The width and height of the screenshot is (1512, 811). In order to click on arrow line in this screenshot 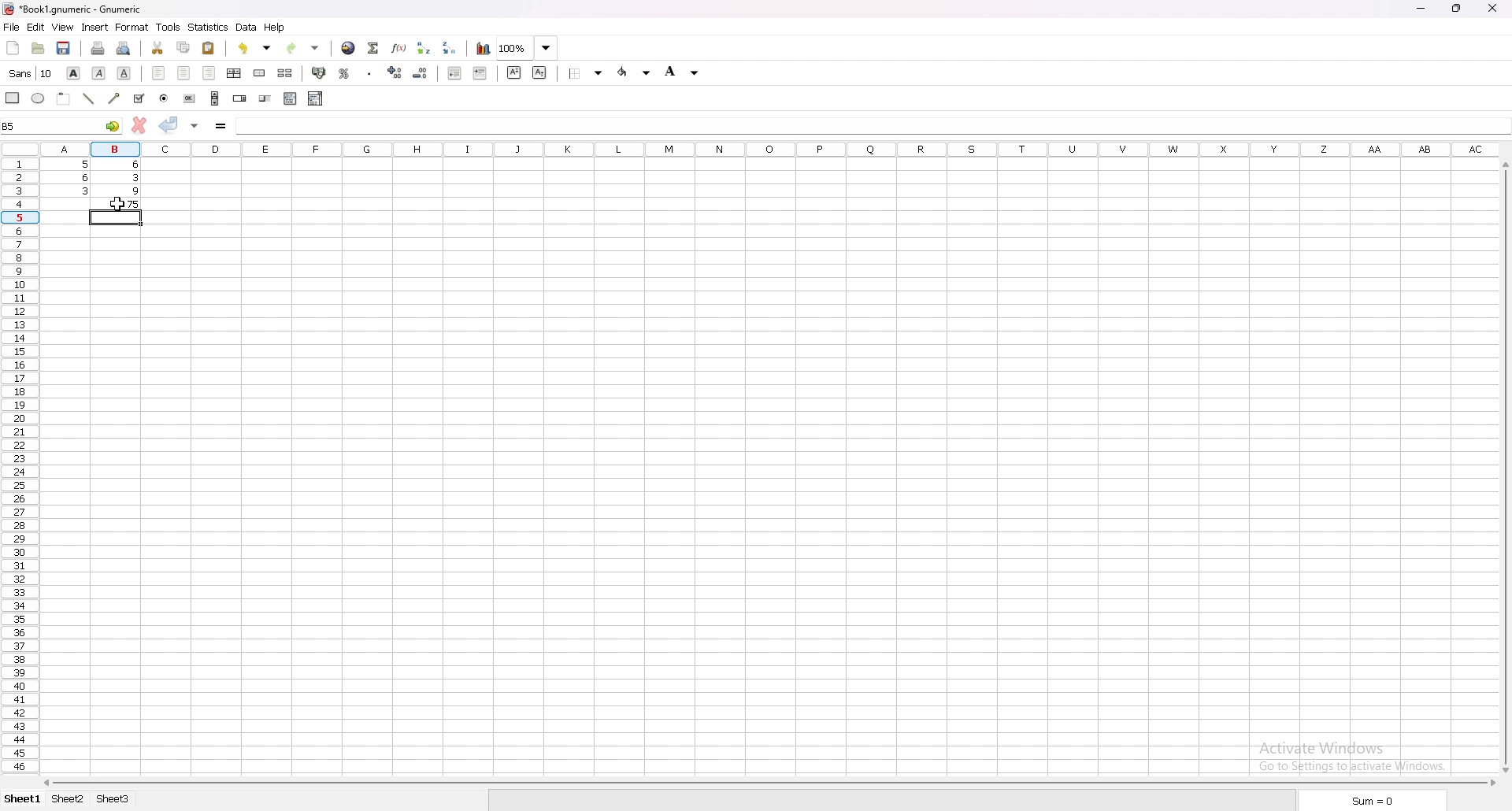, I will do `click(113, 98)`.